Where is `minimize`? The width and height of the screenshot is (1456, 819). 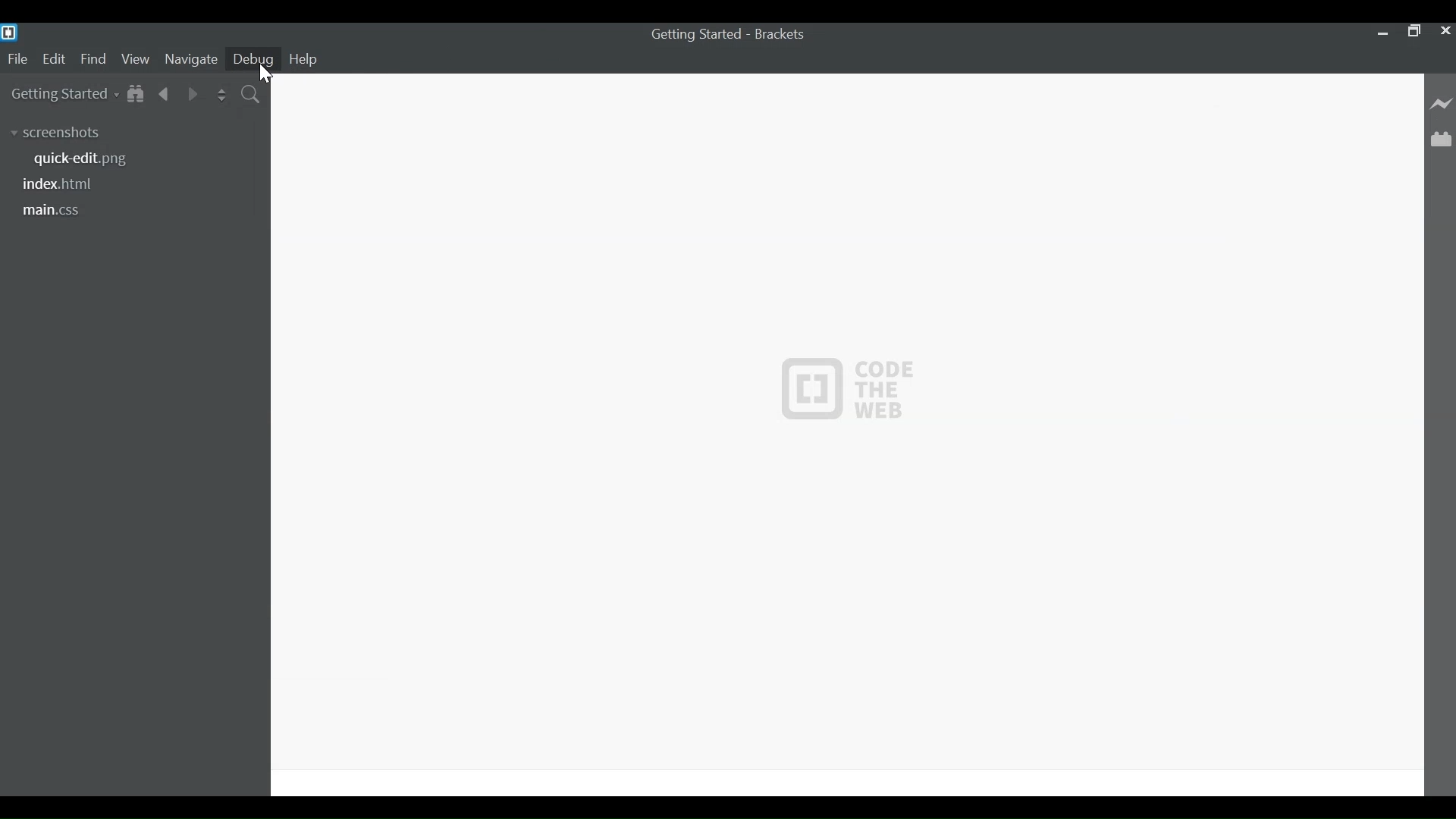 minimize is located at coordinates (1380, 32).